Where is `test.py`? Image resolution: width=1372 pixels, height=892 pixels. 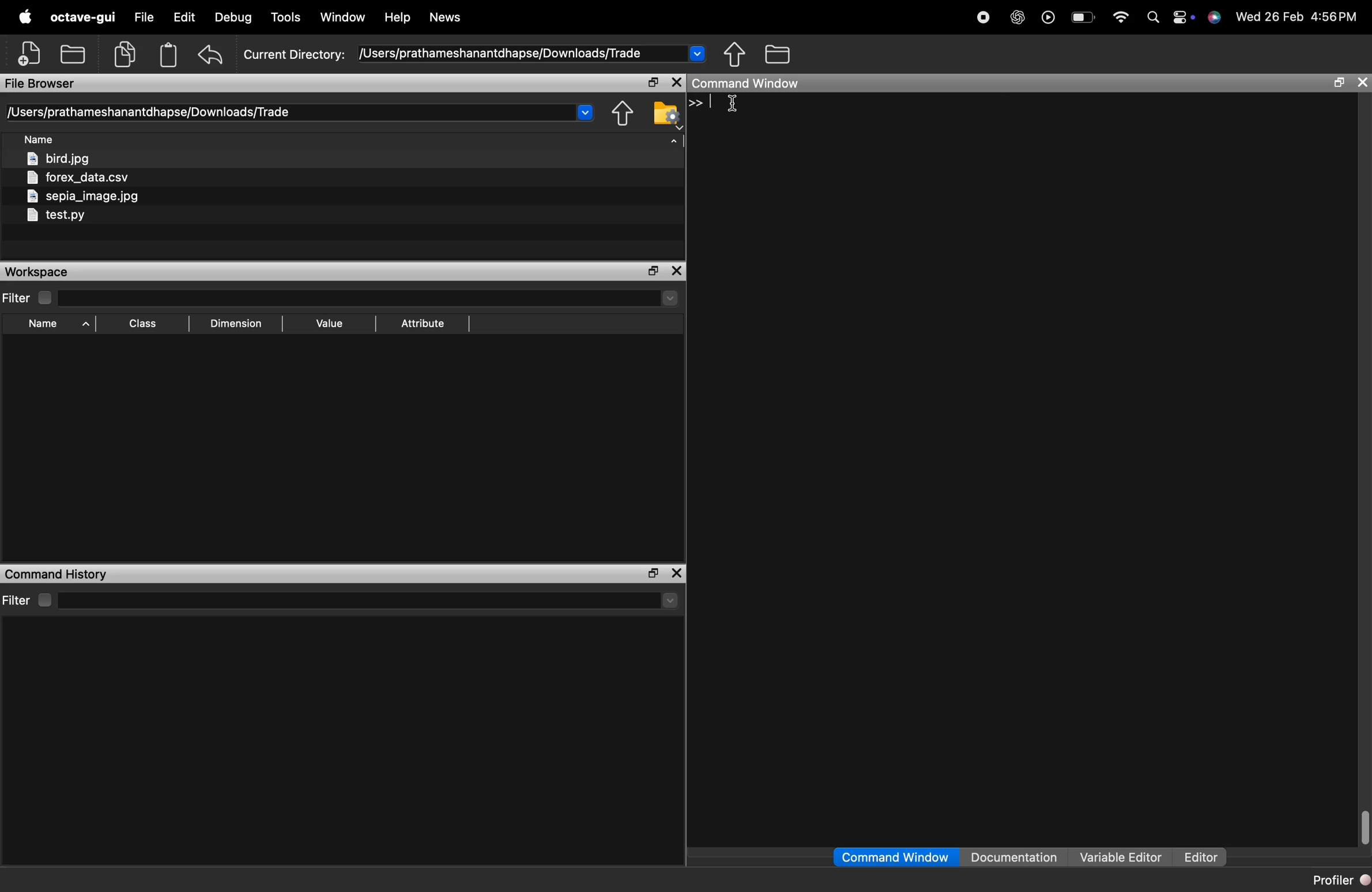 test.py is located at coordinates (56, 216).